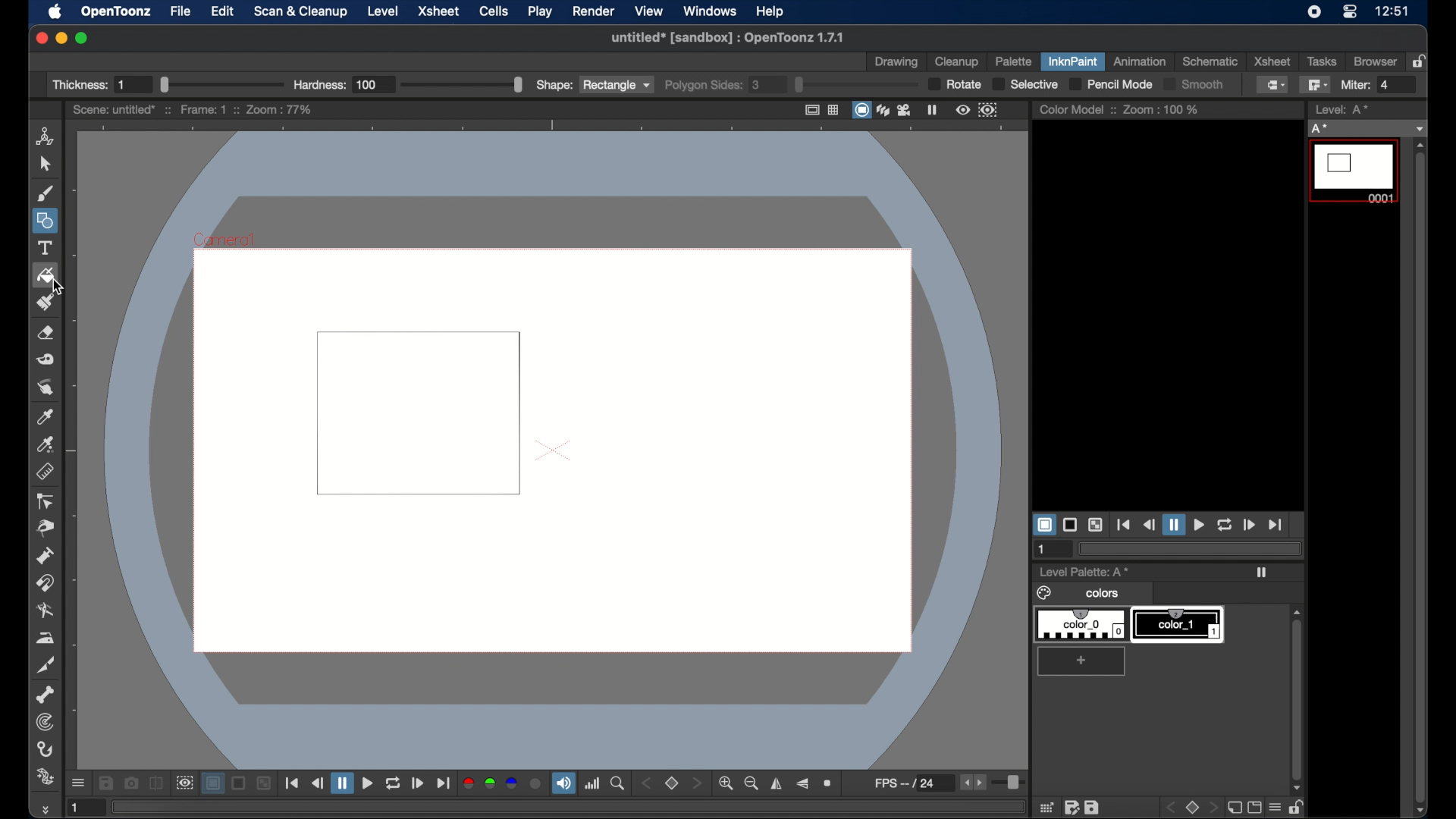 The height and width of the screenshot is (819, 1456). I want to click on menu, so click(1274, 807).